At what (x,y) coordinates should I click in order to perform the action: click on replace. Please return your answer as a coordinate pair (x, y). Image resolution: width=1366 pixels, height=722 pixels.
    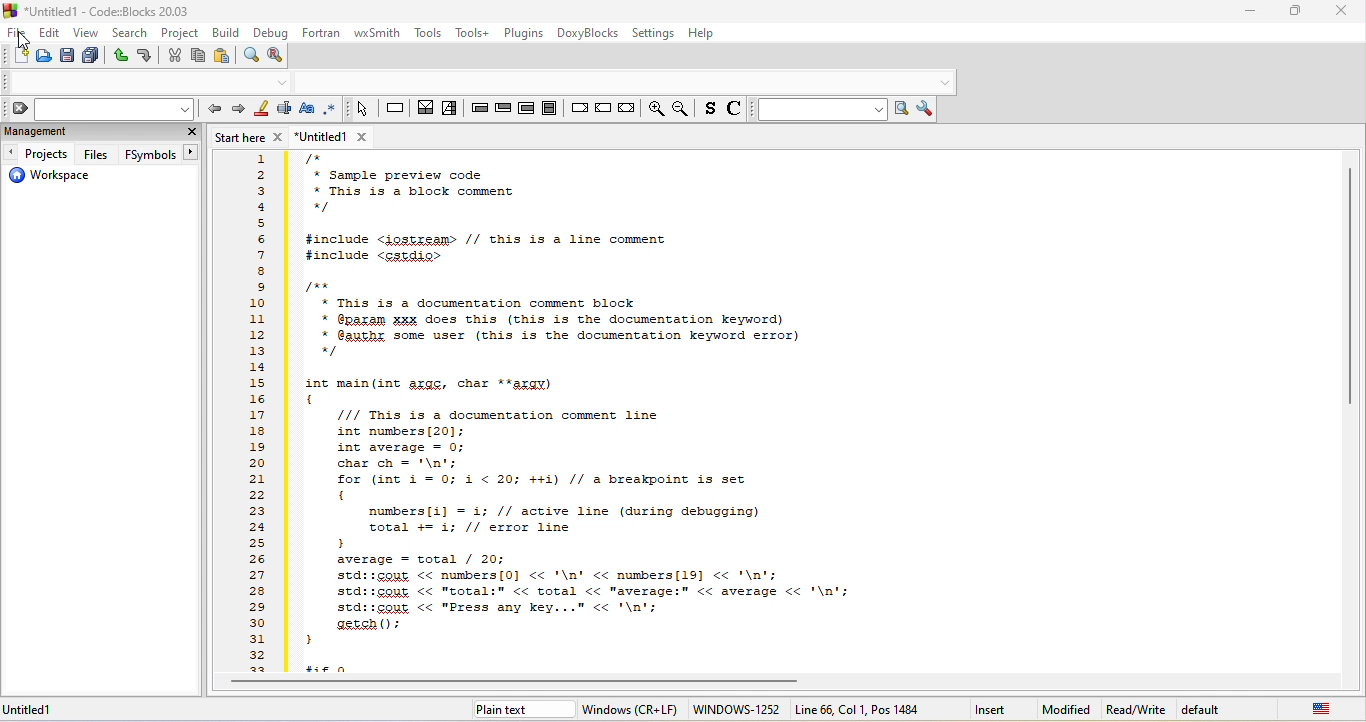
    Looking at the image, I should click on (279, 57).